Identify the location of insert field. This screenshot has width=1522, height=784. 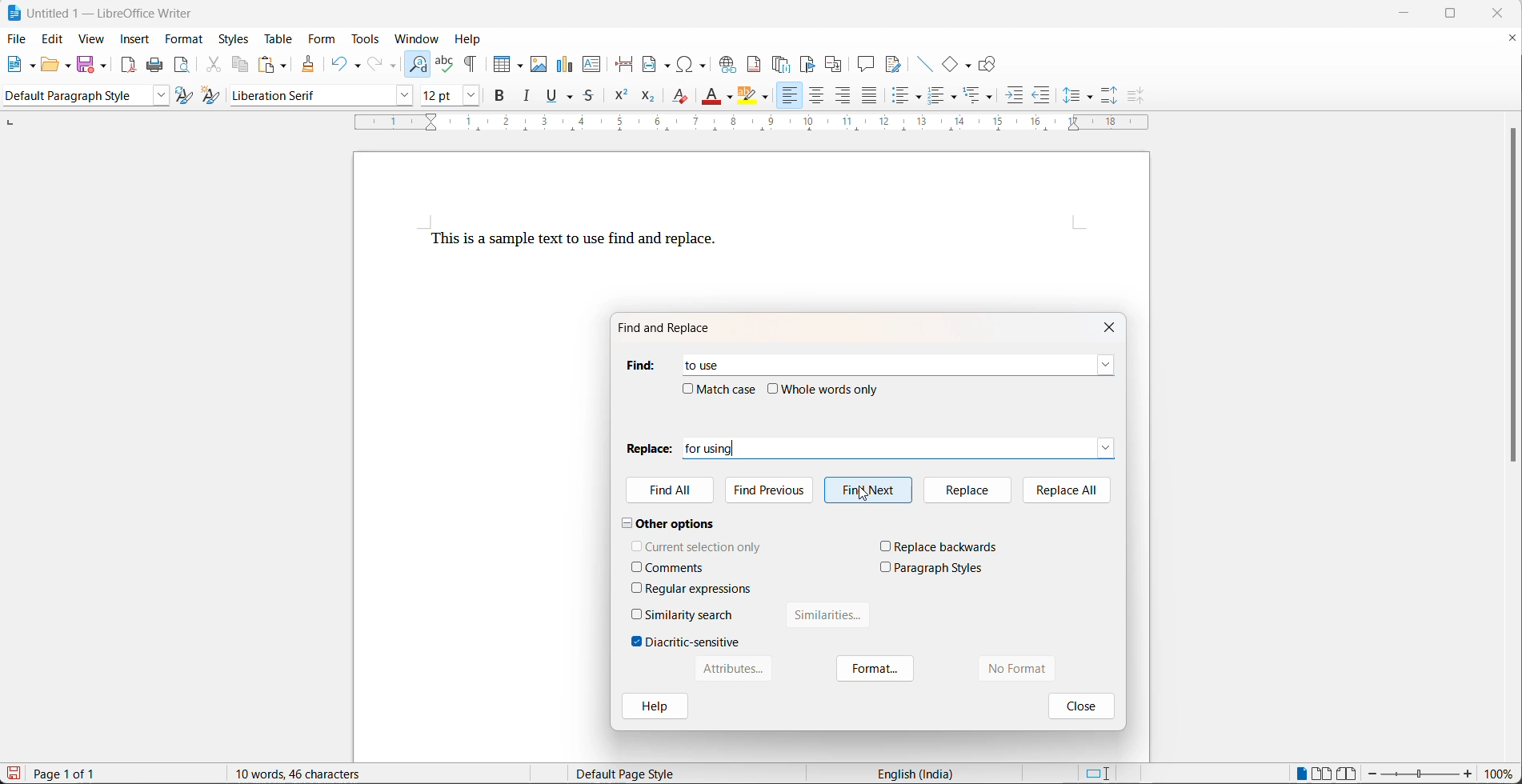
(658, 65).